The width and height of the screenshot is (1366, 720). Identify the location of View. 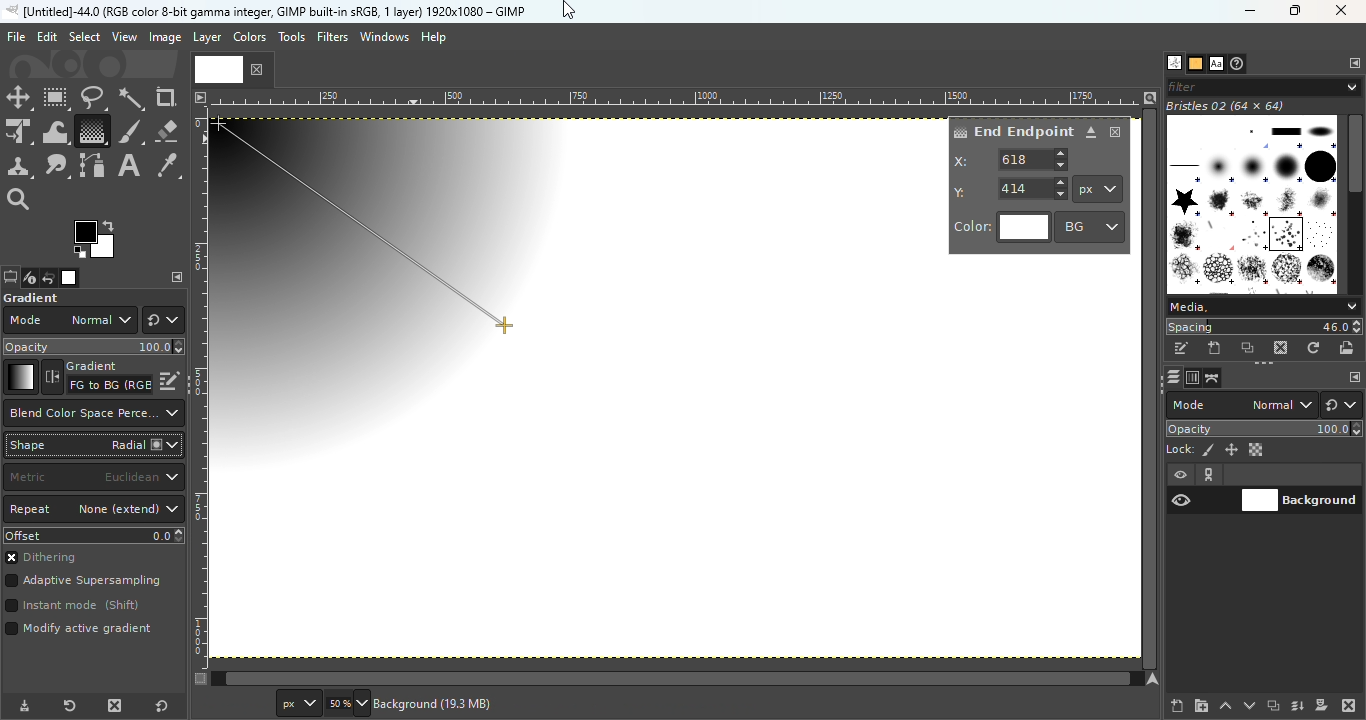
(125, 37).